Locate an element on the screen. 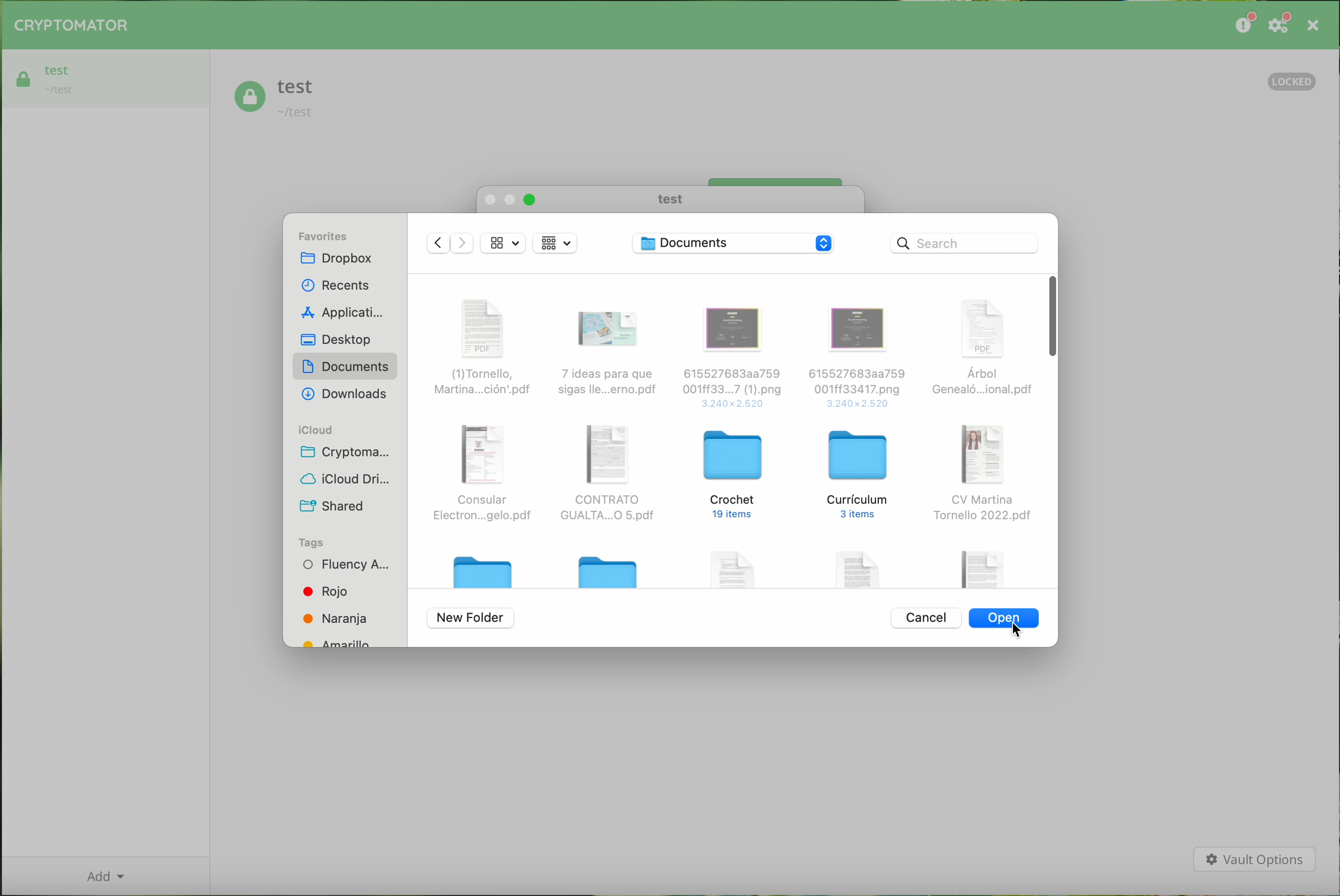 The height and width of the screenshot is (896, 1340). navigate arrows is located at coordinates (450, 246).